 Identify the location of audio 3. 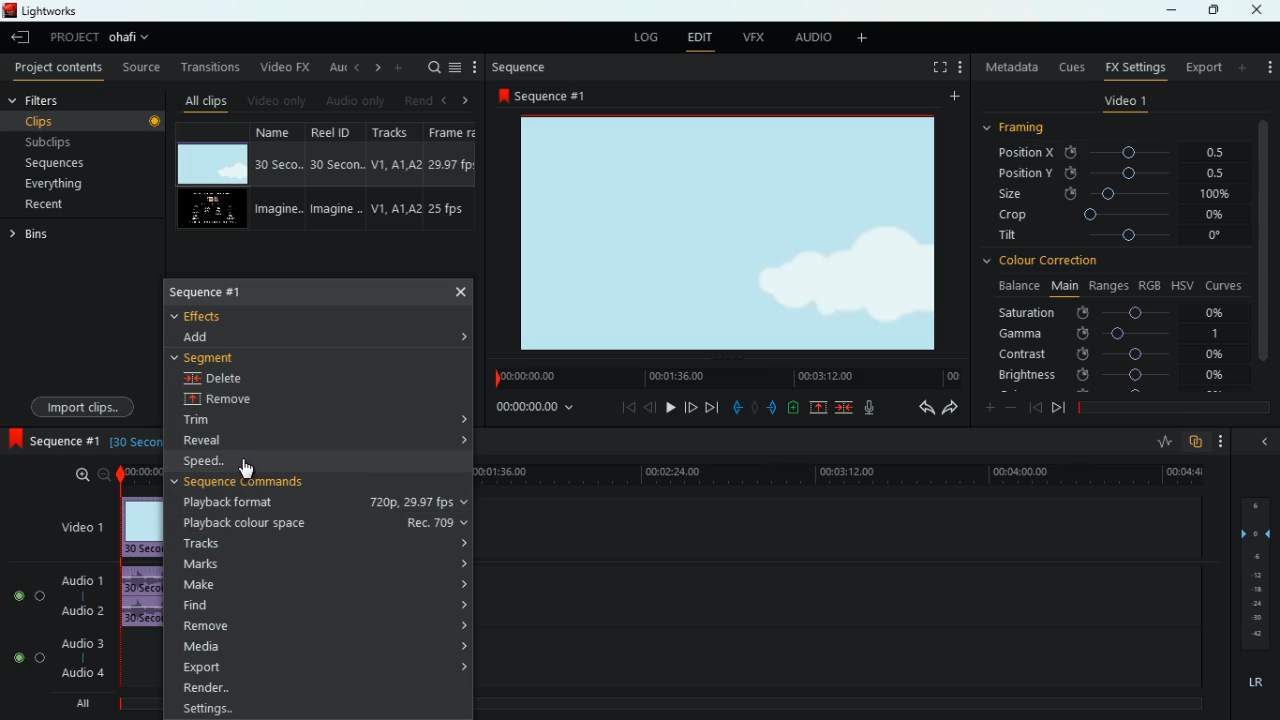
(77, 642).